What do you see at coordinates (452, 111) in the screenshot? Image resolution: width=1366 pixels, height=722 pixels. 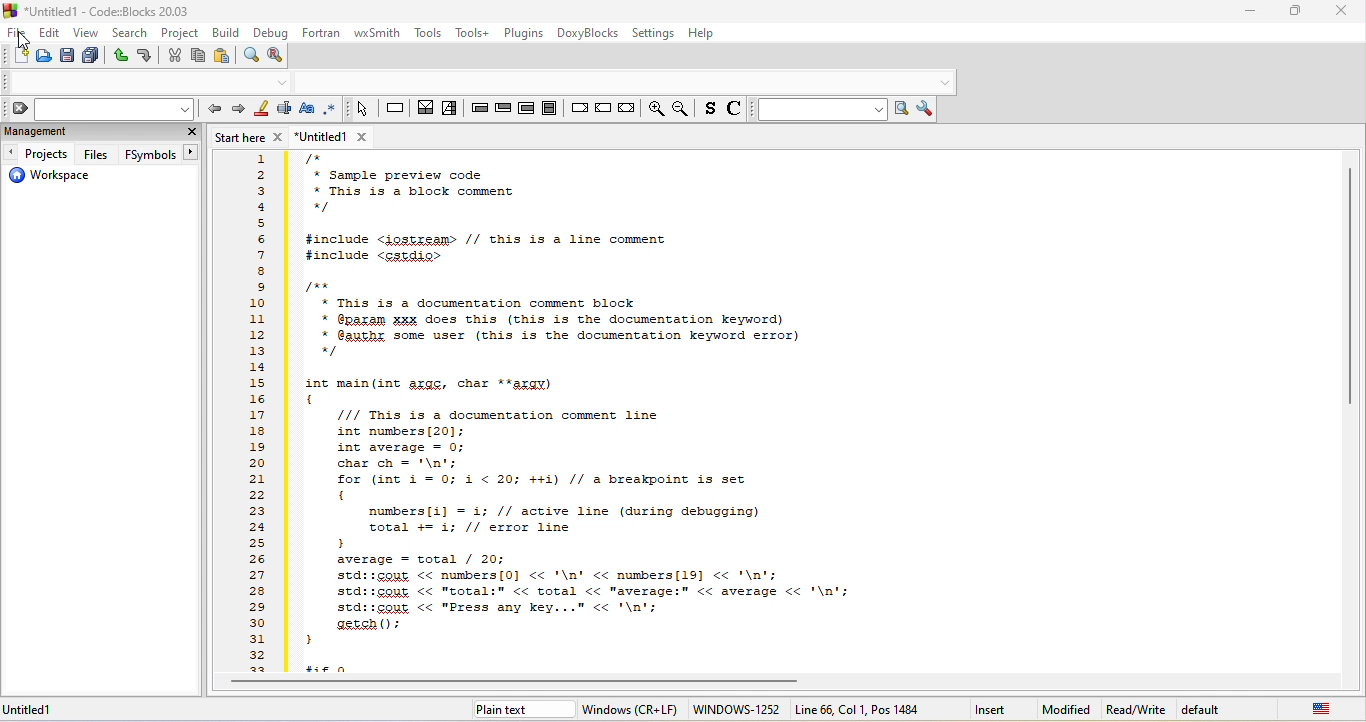 I see `selection` at bounding box center [452, 111].